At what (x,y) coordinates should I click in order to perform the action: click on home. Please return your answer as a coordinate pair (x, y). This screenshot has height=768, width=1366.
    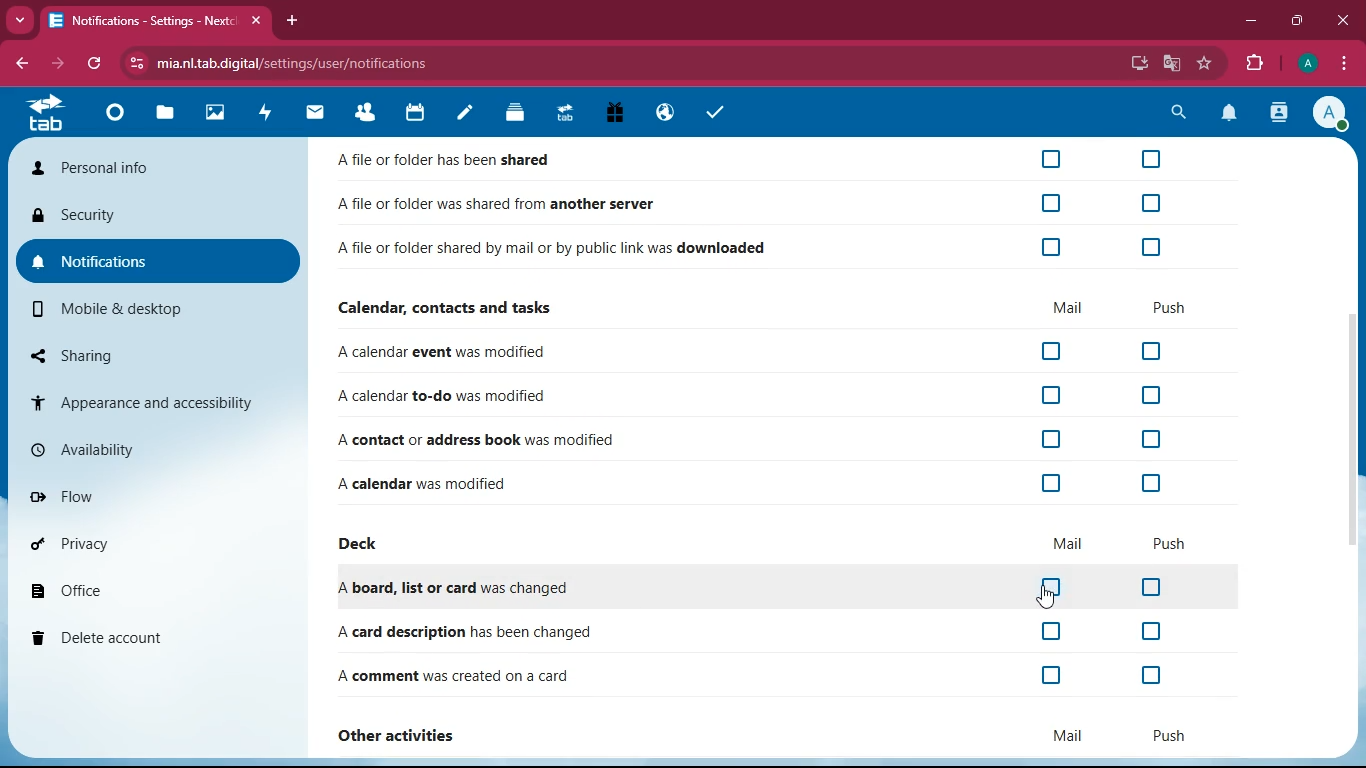
    Looking at the image, I should click on (44, 112).